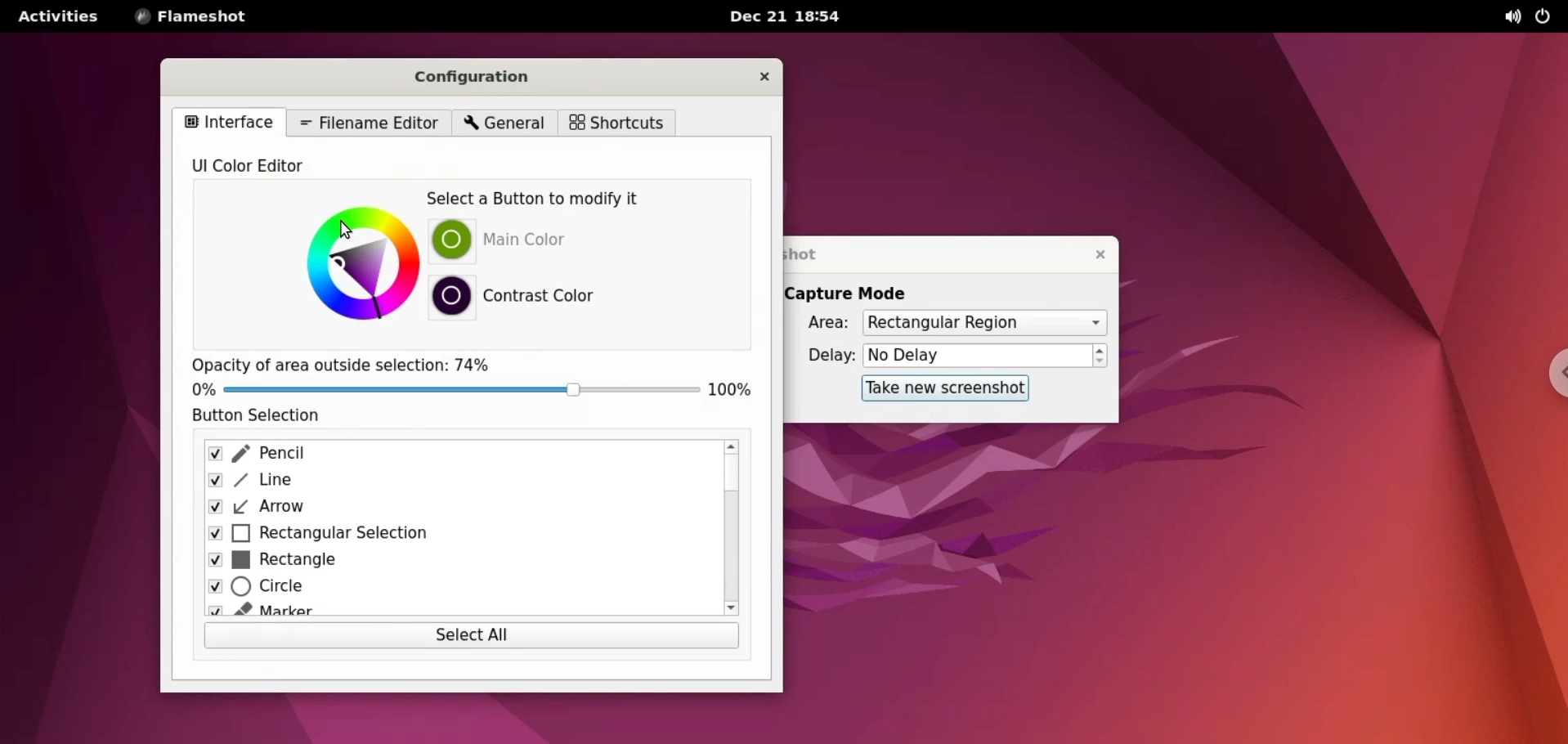 The image size is (1568, 744). What do you see at coordinates (452, 536) in the screenshot?
I see `rectangular selection checkbox` at bounding box center [452, 536].